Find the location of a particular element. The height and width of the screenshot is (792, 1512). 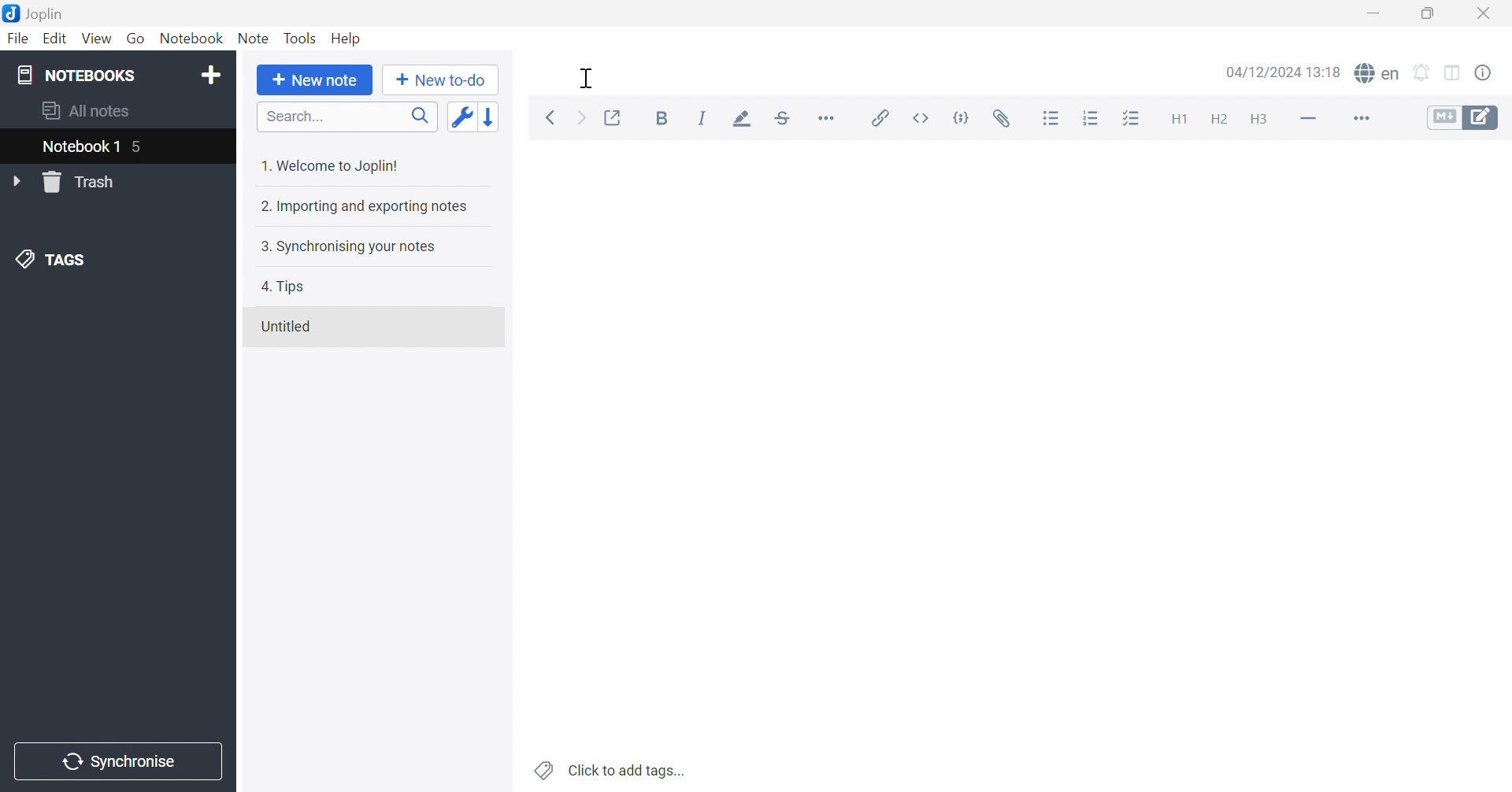

NOTEBOOKS is located at coordinates (78, 75).